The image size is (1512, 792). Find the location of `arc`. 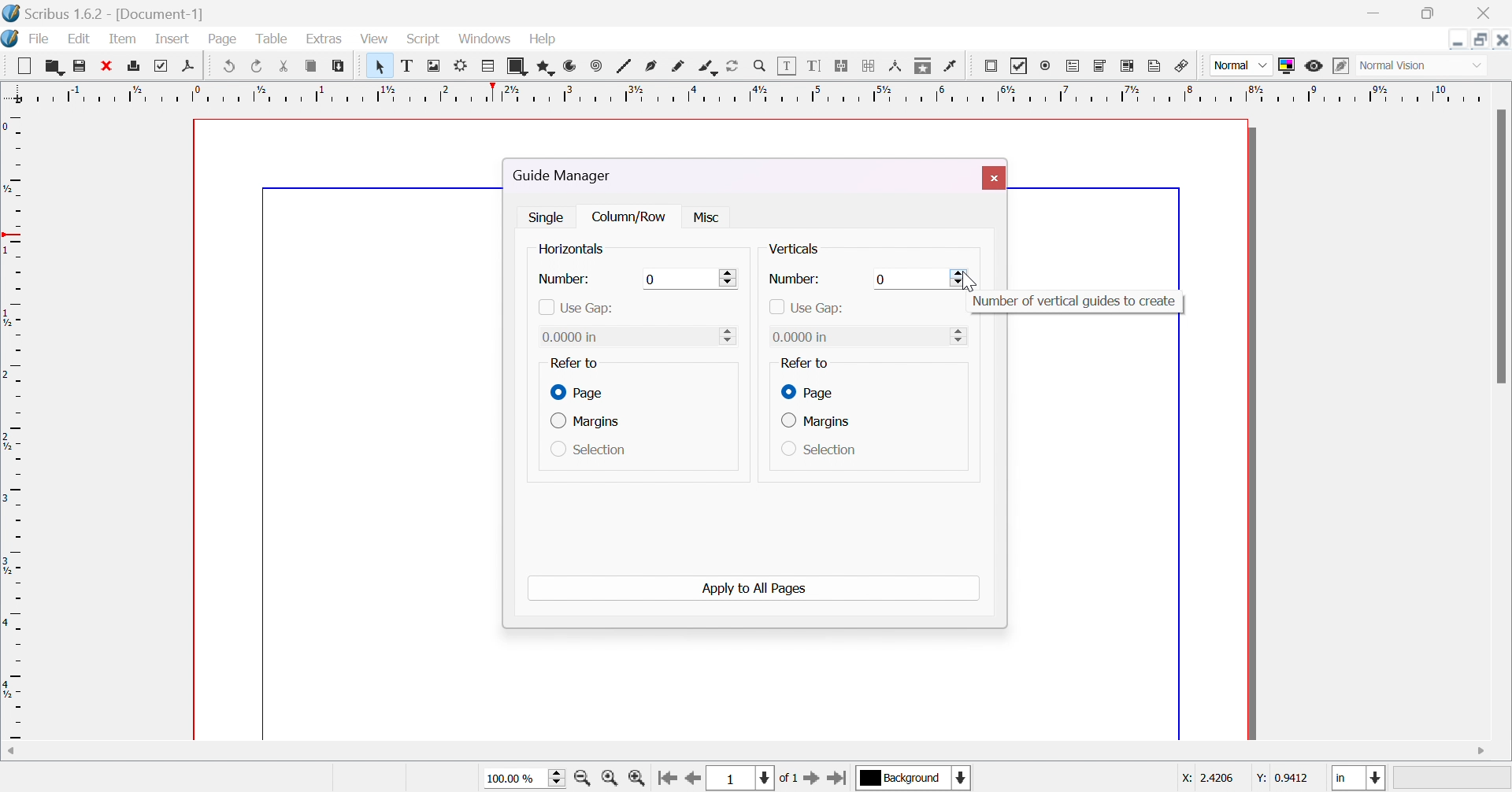

arc is located at coordinates (571, 68).